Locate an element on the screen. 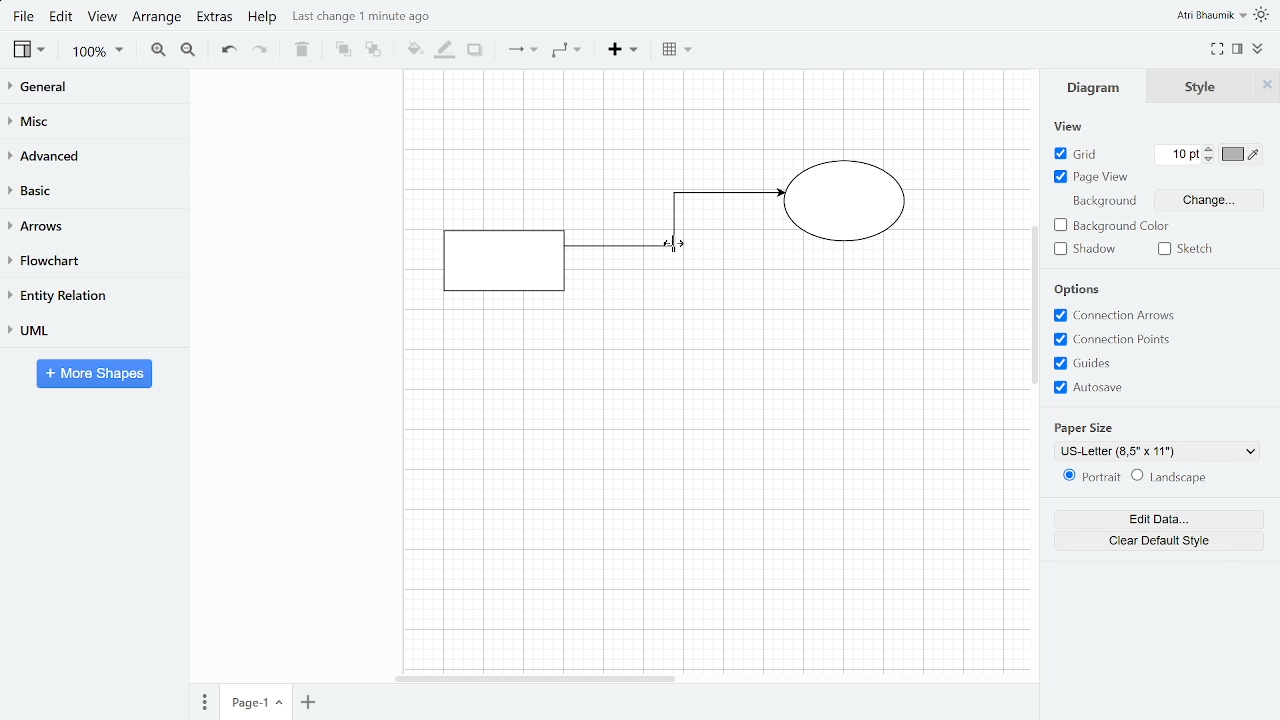 This screenshot has height=720, width=1280. File is located at coordinates (22, 17).